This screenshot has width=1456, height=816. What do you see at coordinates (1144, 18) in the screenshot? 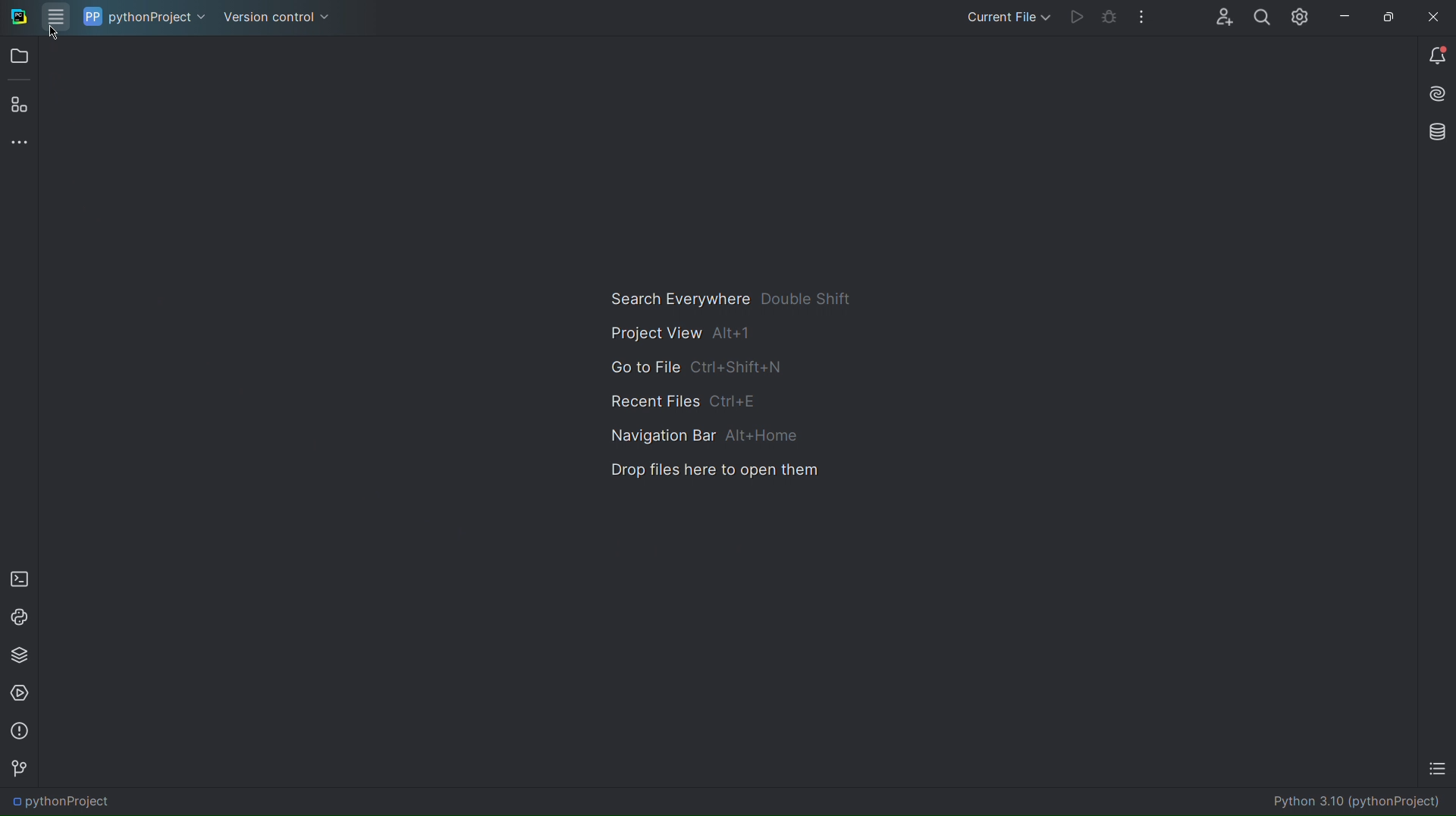
I see `More` at bounding box center [1144, 18].